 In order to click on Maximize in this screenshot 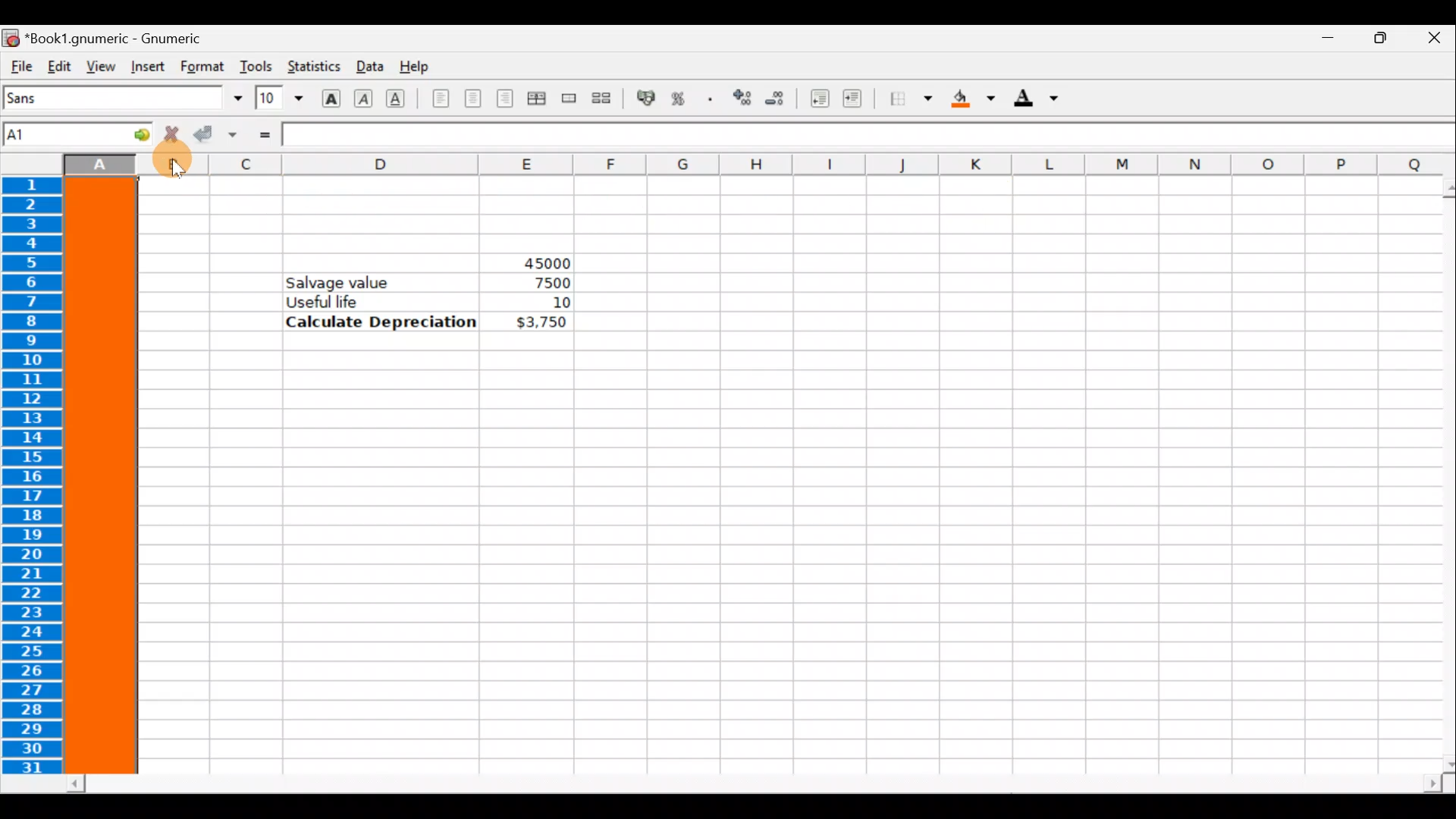, I will do `click(1377, 42)`.